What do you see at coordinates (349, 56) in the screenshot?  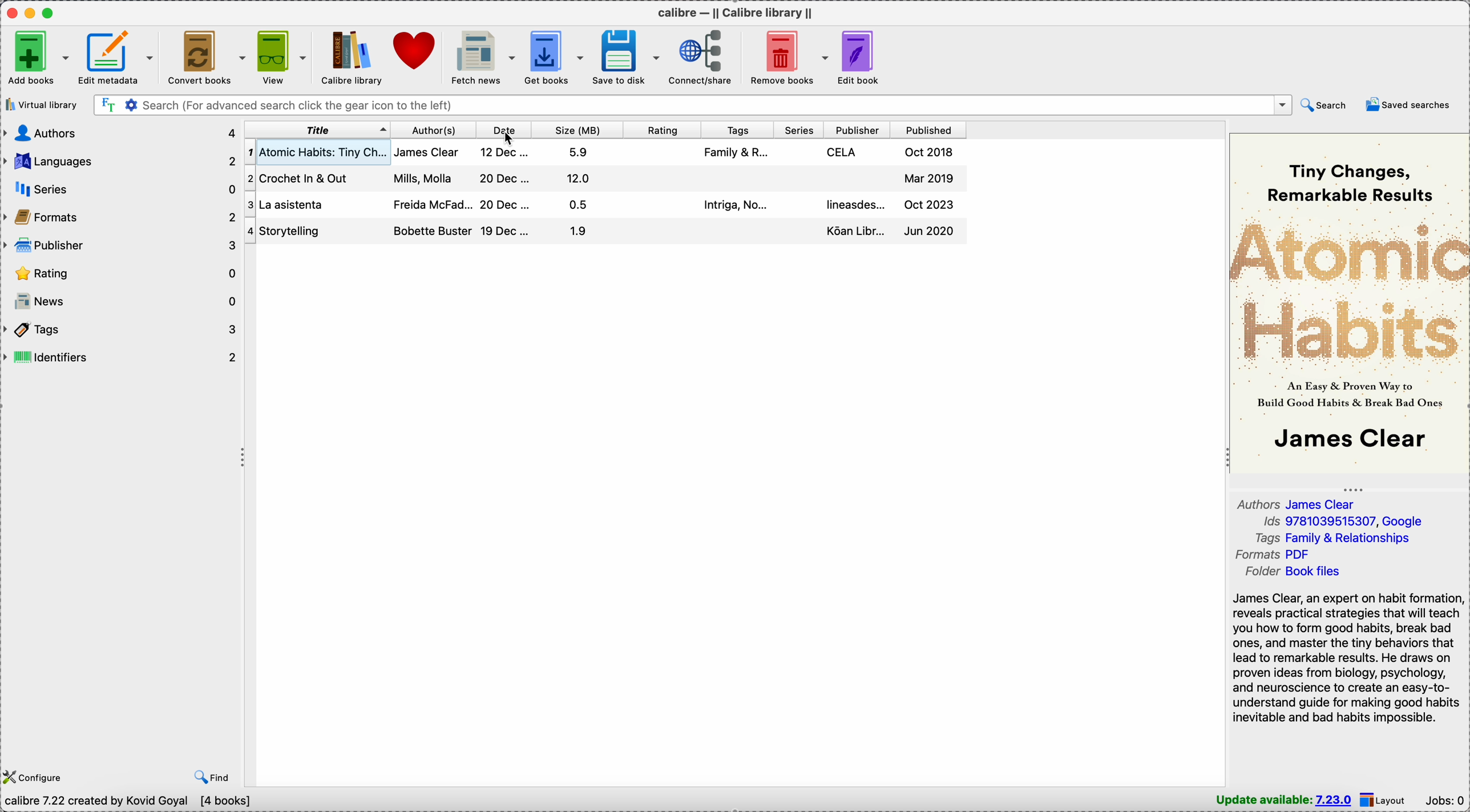 I see `Calibre library` at bounding box center [349, 56].